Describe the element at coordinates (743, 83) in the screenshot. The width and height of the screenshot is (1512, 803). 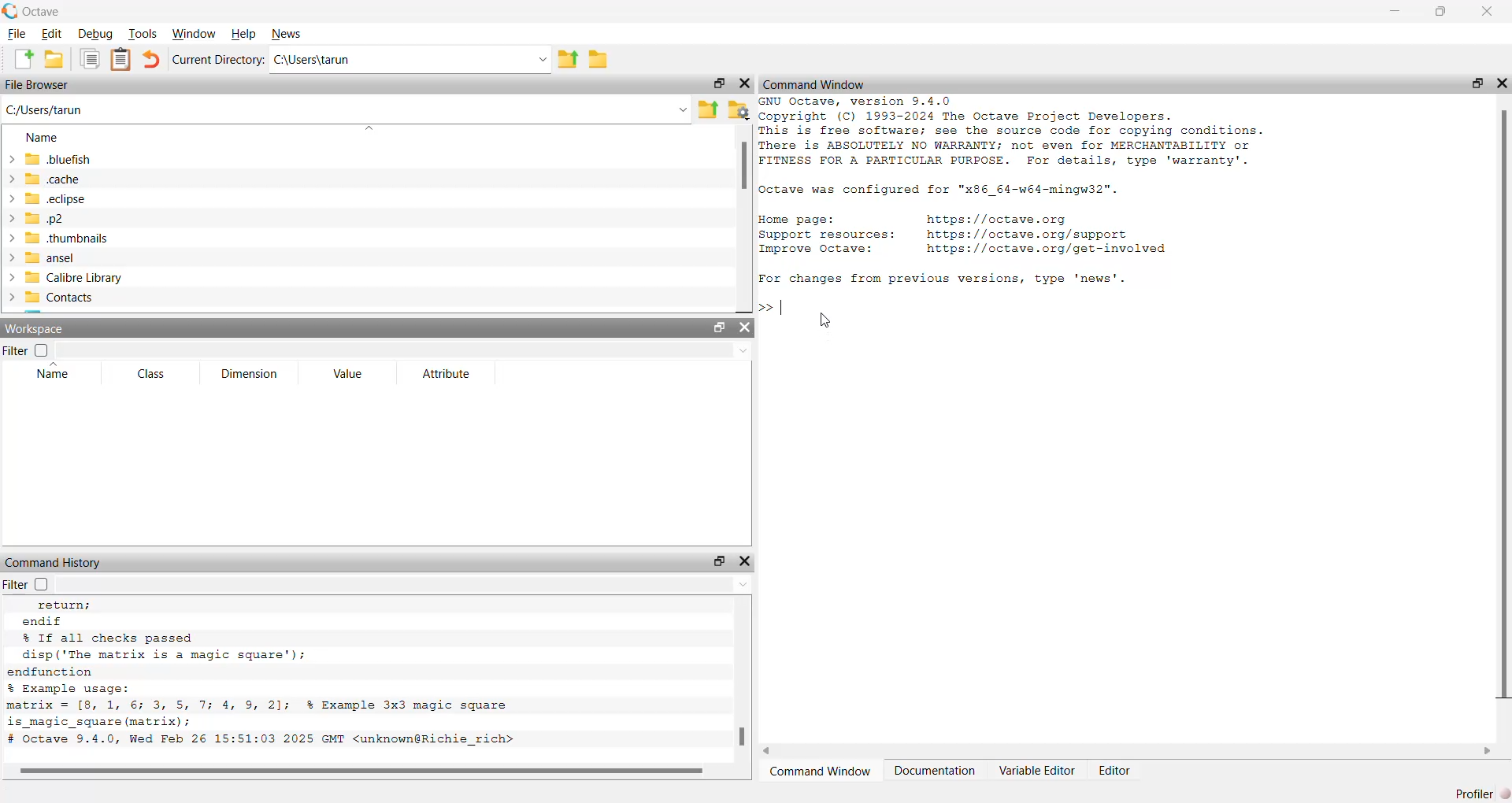
I see `close` at that location.